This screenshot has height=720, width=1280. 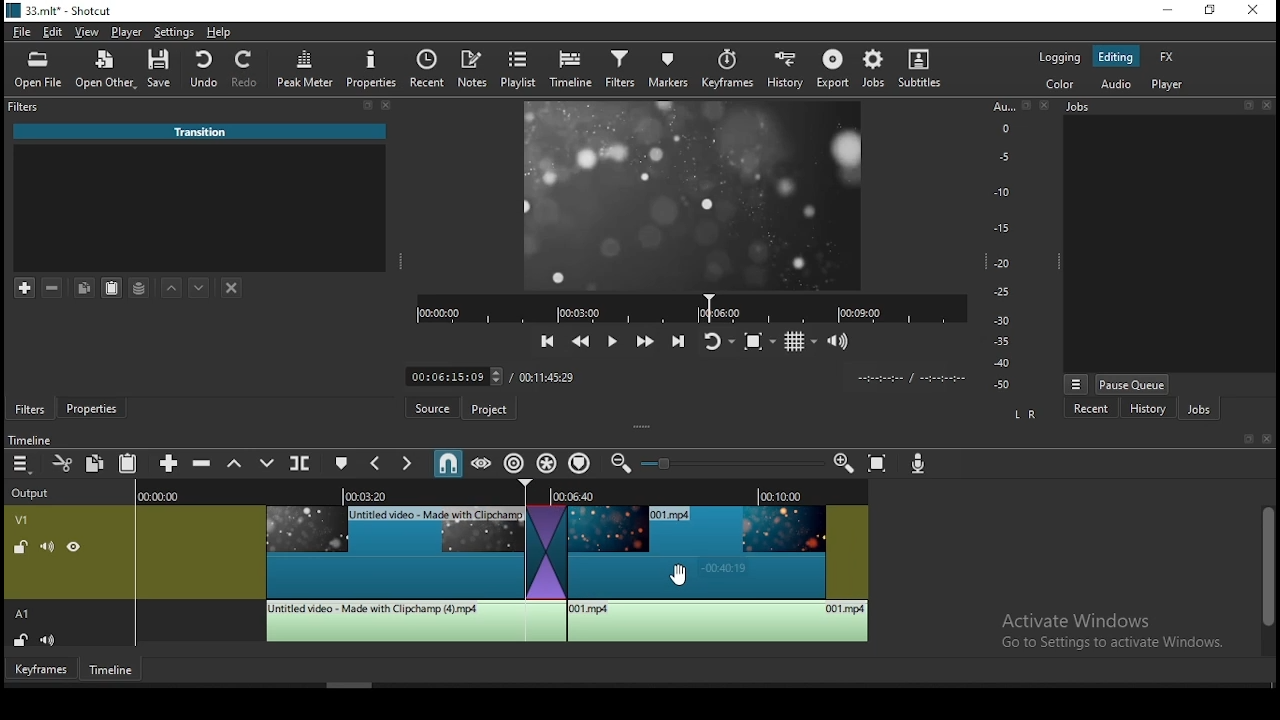 I want to click on filters, so click(x=619, y=70).